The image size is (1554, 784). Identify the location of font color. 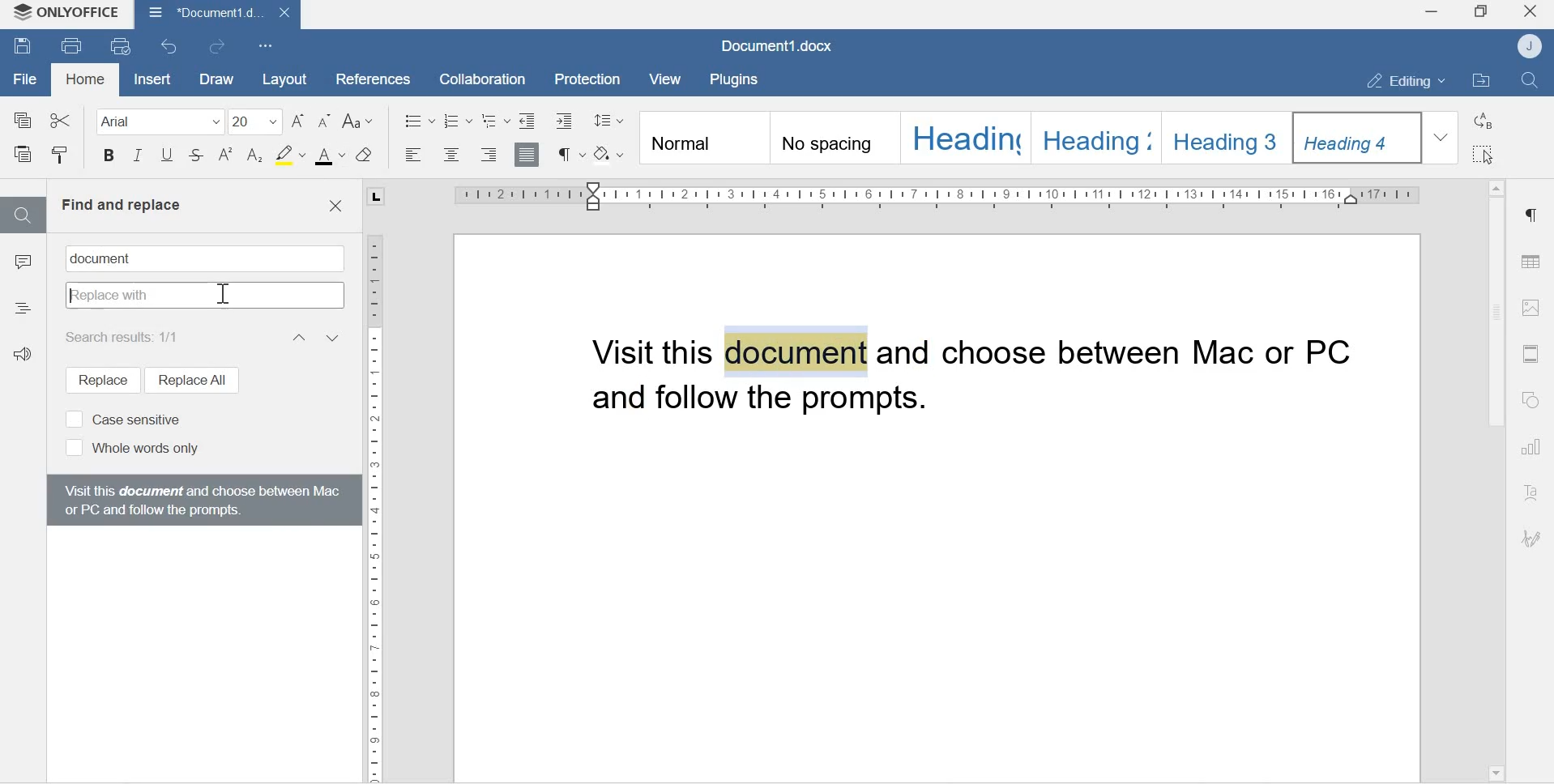
(331, 156).